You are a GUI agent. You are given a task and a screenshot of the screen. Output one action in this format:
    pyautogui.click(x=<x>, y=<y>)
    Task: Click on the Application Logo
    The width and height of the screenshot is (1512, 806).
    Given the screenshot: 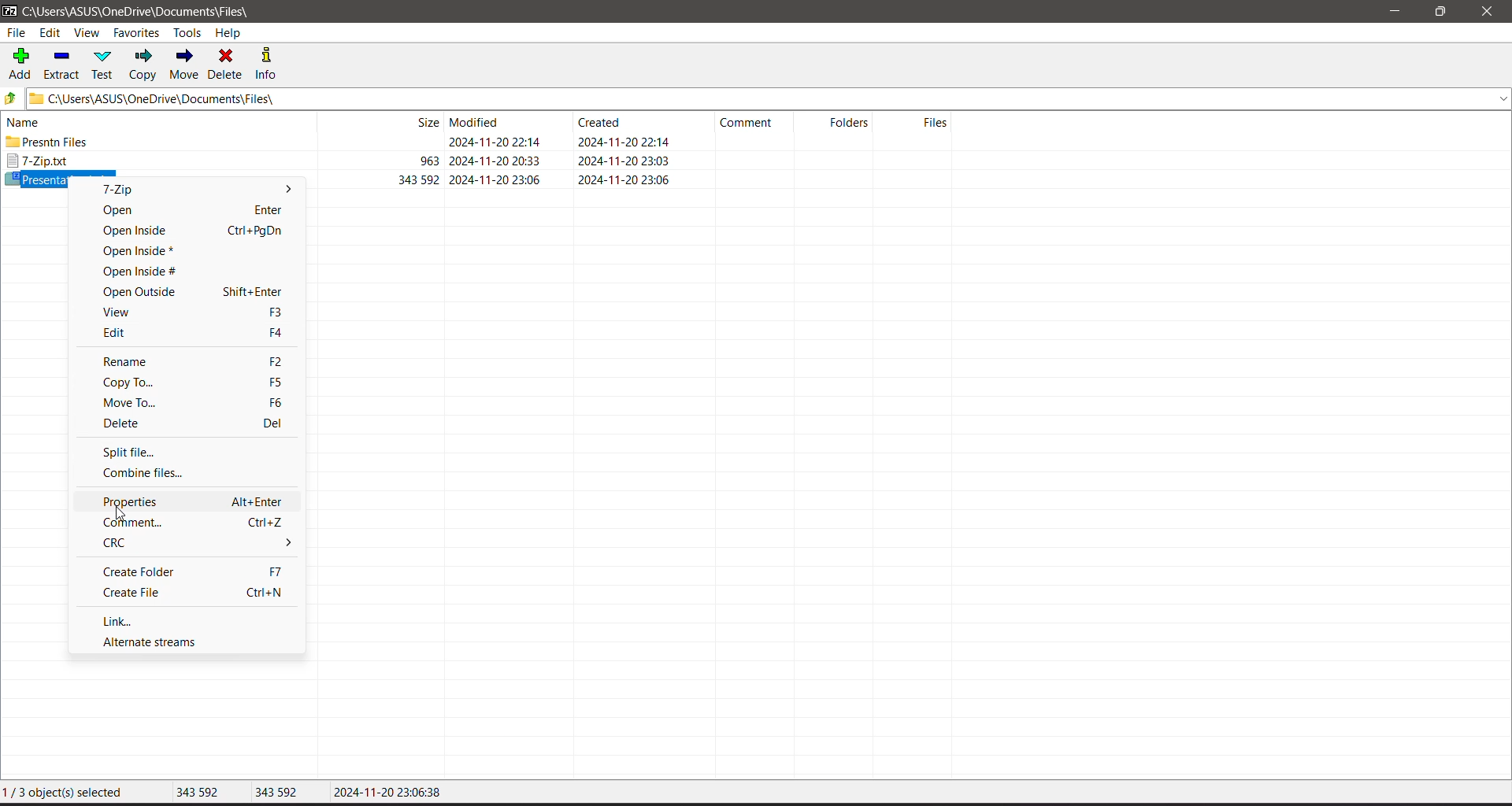 What is the action you would take?
    pyautogui.click(x=9, y=12)
    